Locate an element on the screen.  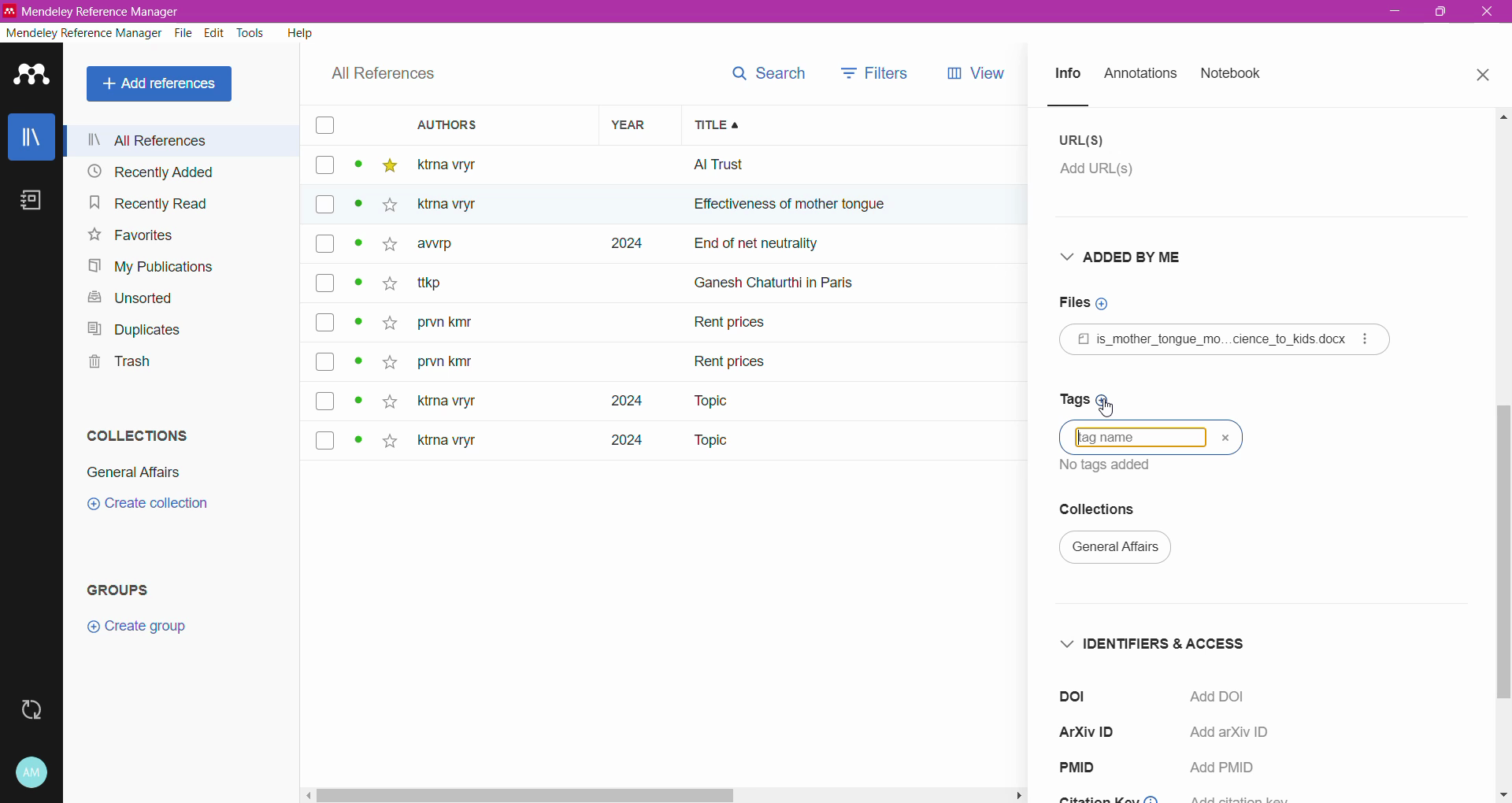
Identifiers and Access is located at coordinates (1151, 639).